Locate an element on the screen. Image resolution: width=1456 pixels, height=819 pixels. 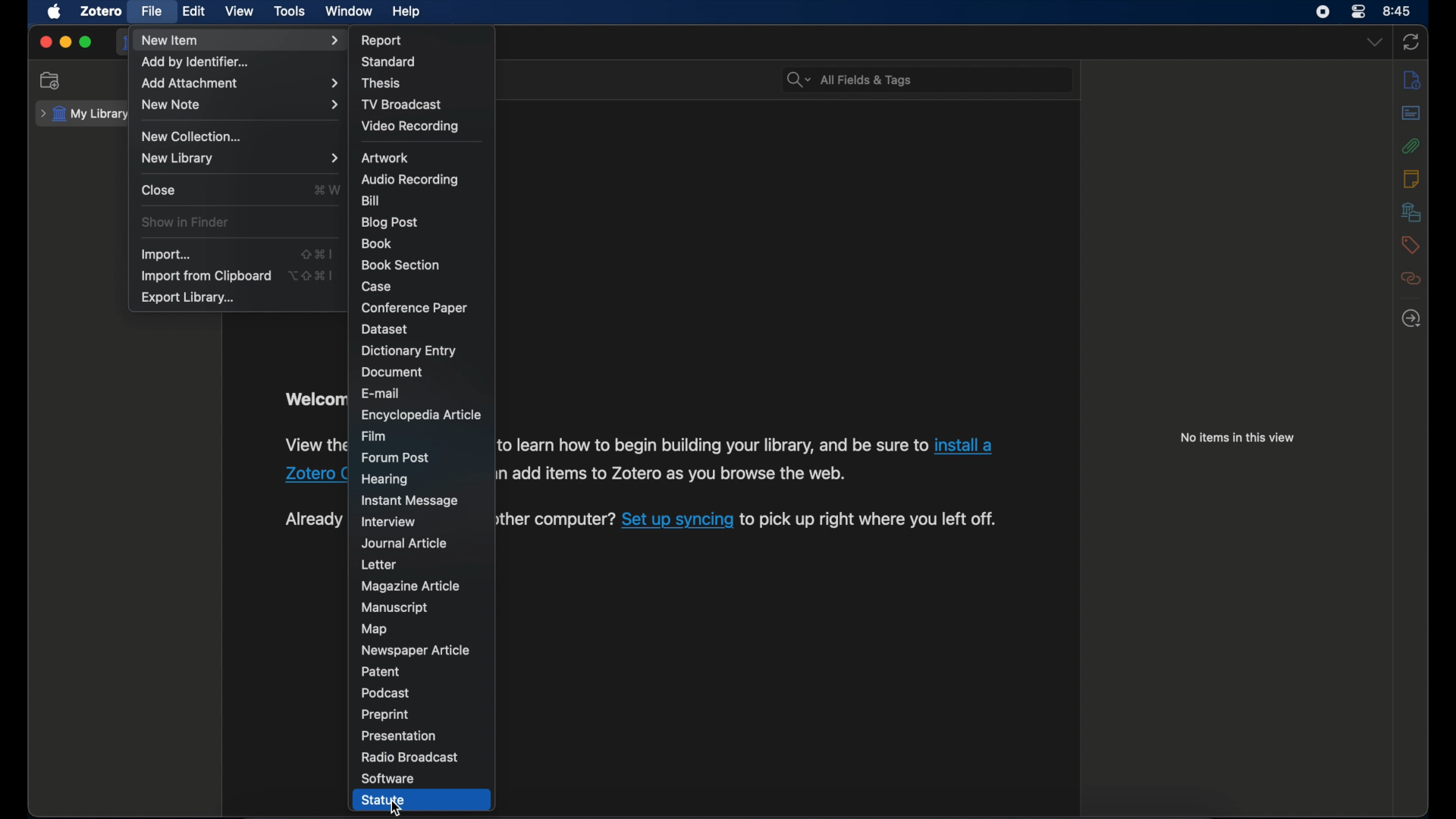
info is located at coordinates (1414, 80).